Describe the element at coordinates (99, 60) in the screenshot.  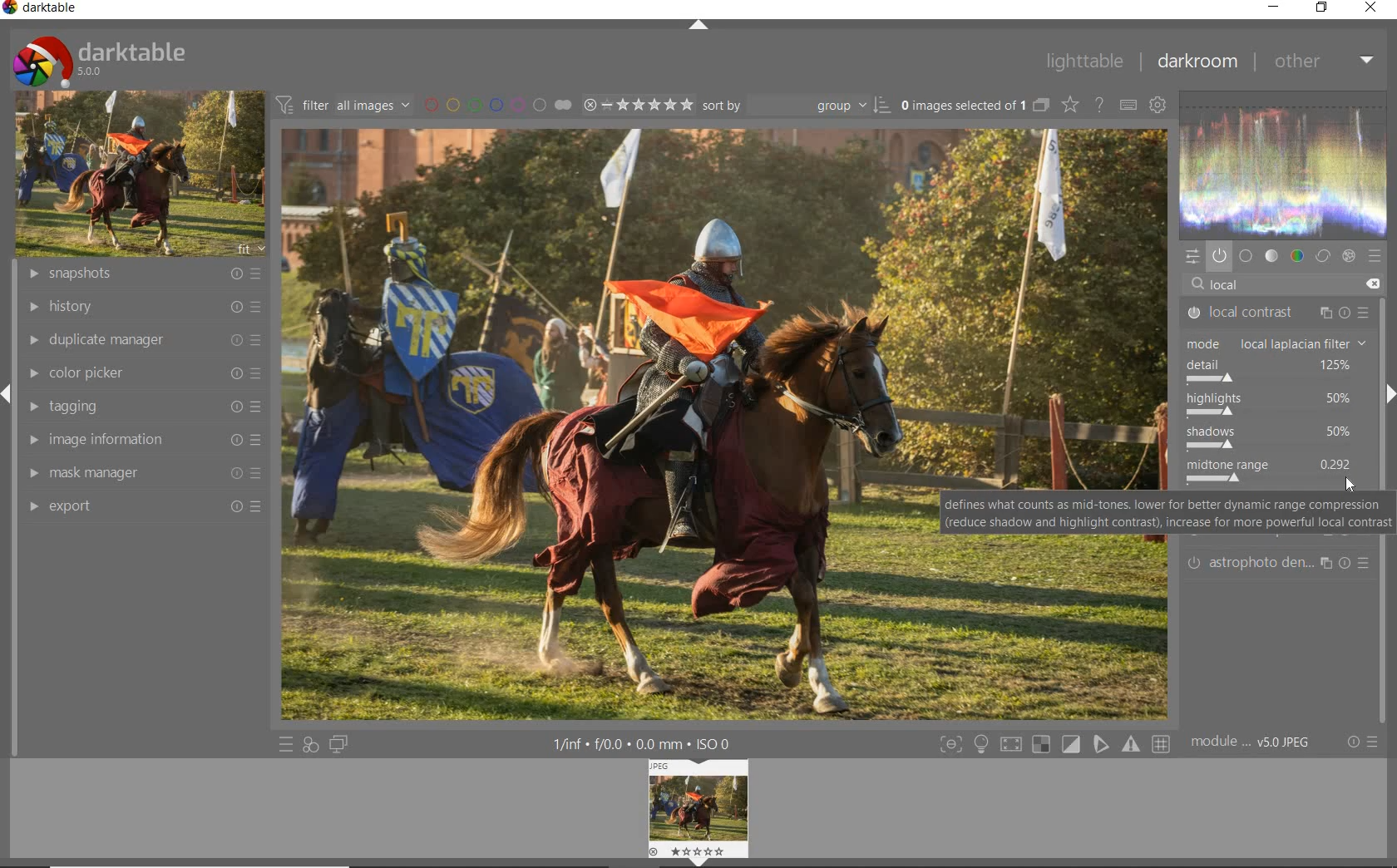
I see `system logo & name` at that location.